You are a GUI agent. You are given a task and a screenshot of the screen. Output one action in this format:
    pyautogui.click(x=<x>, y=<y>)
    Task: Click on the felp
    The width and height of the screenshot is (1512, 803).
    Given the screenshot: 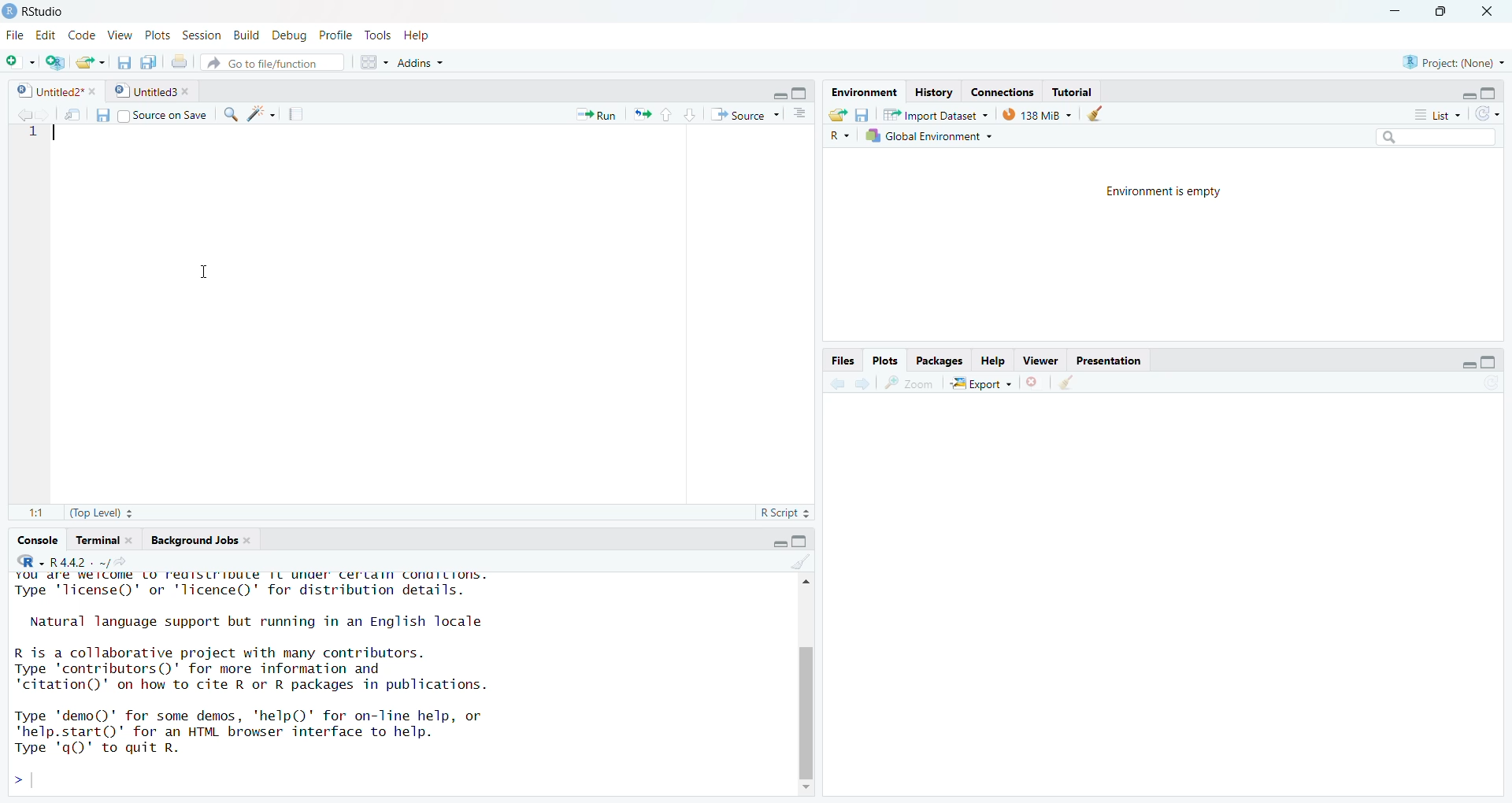 What is the action you would take?
    pyautogui.click(x=994, y=360)
    